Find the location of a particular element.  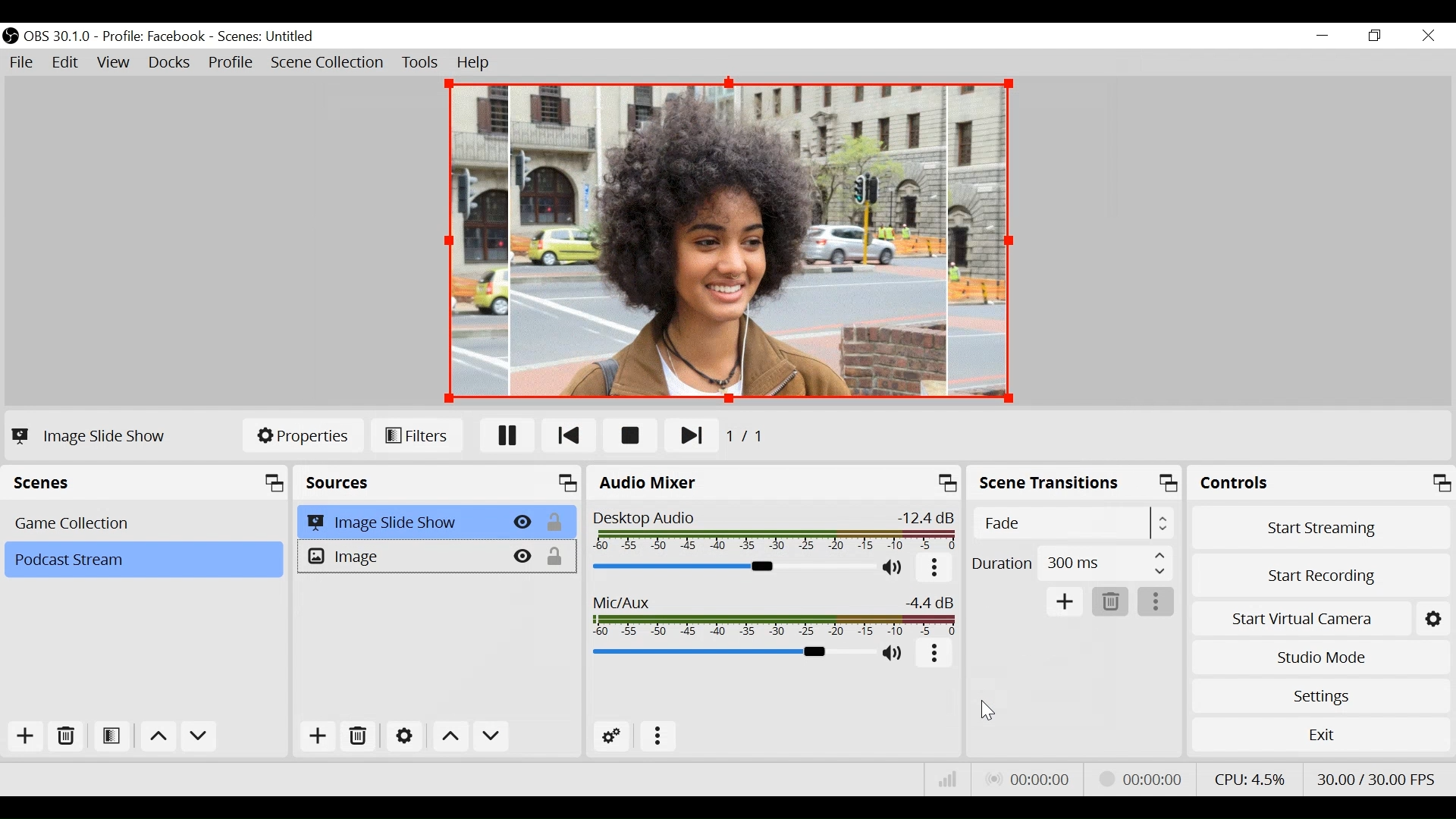

Previous is located at coordinates (571, 435).